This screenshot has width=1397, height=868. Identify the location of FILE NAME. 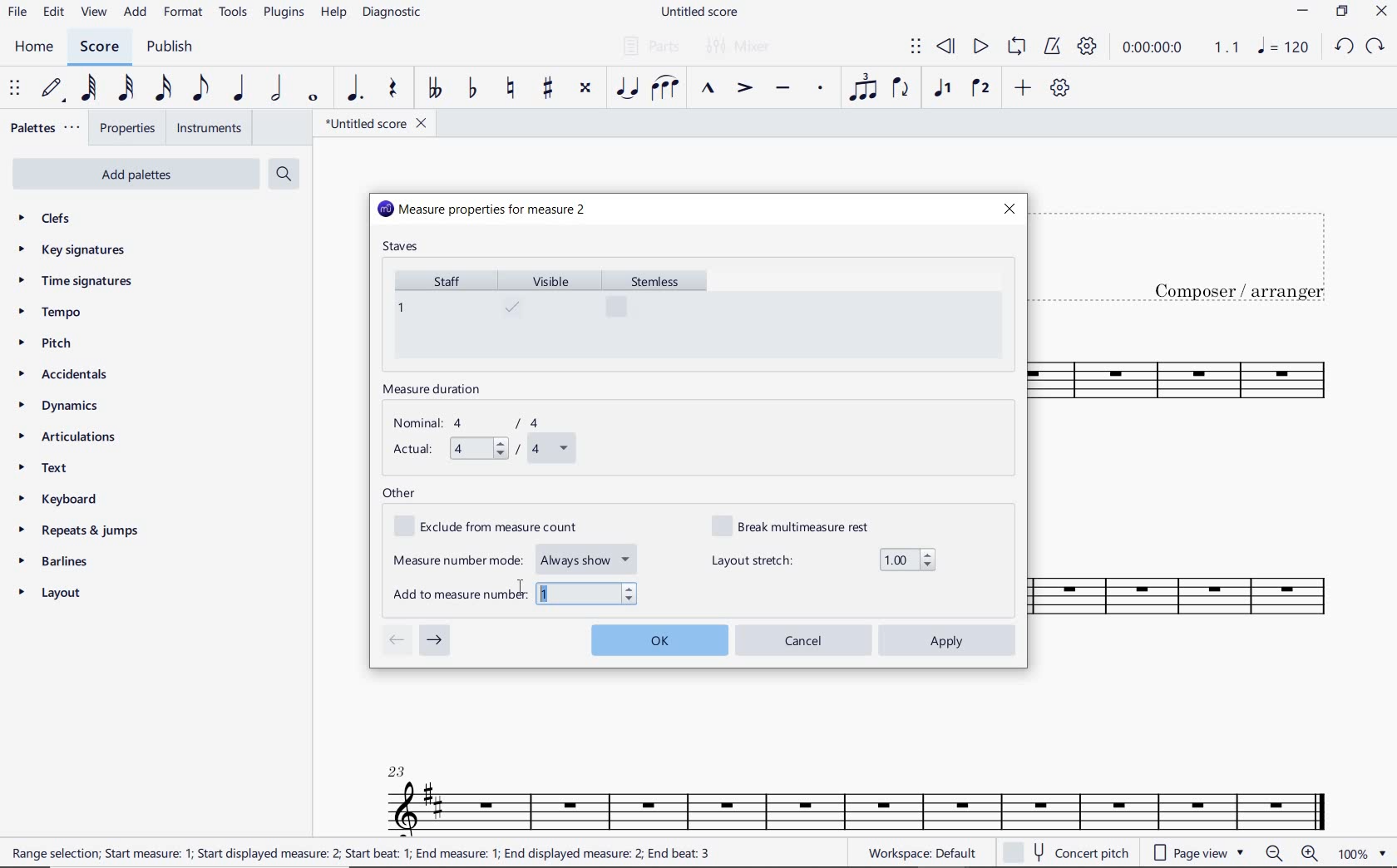
(375, 123).